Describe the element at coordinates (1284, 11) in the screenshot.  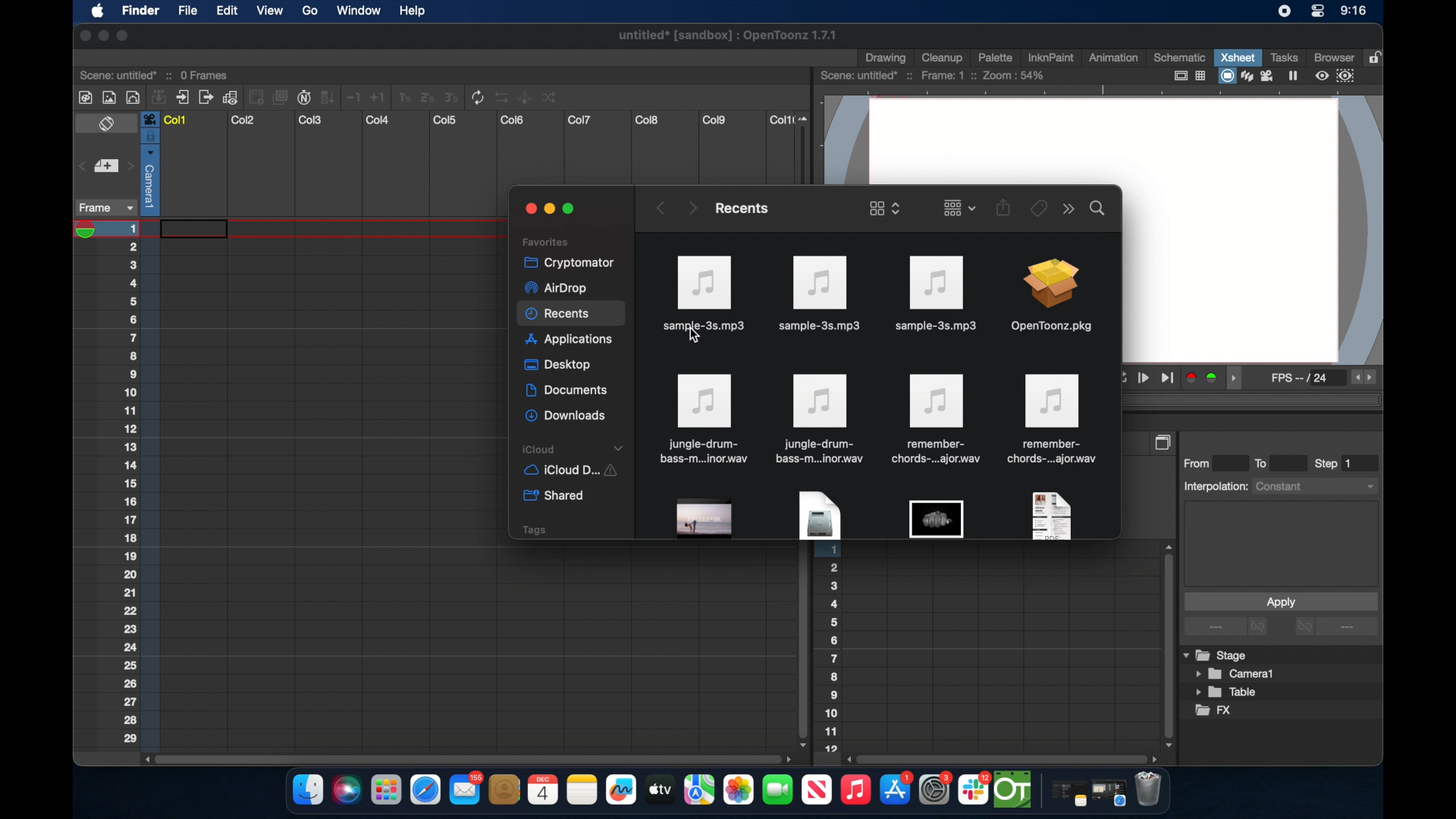
I see `screen recorder icon` at that location.